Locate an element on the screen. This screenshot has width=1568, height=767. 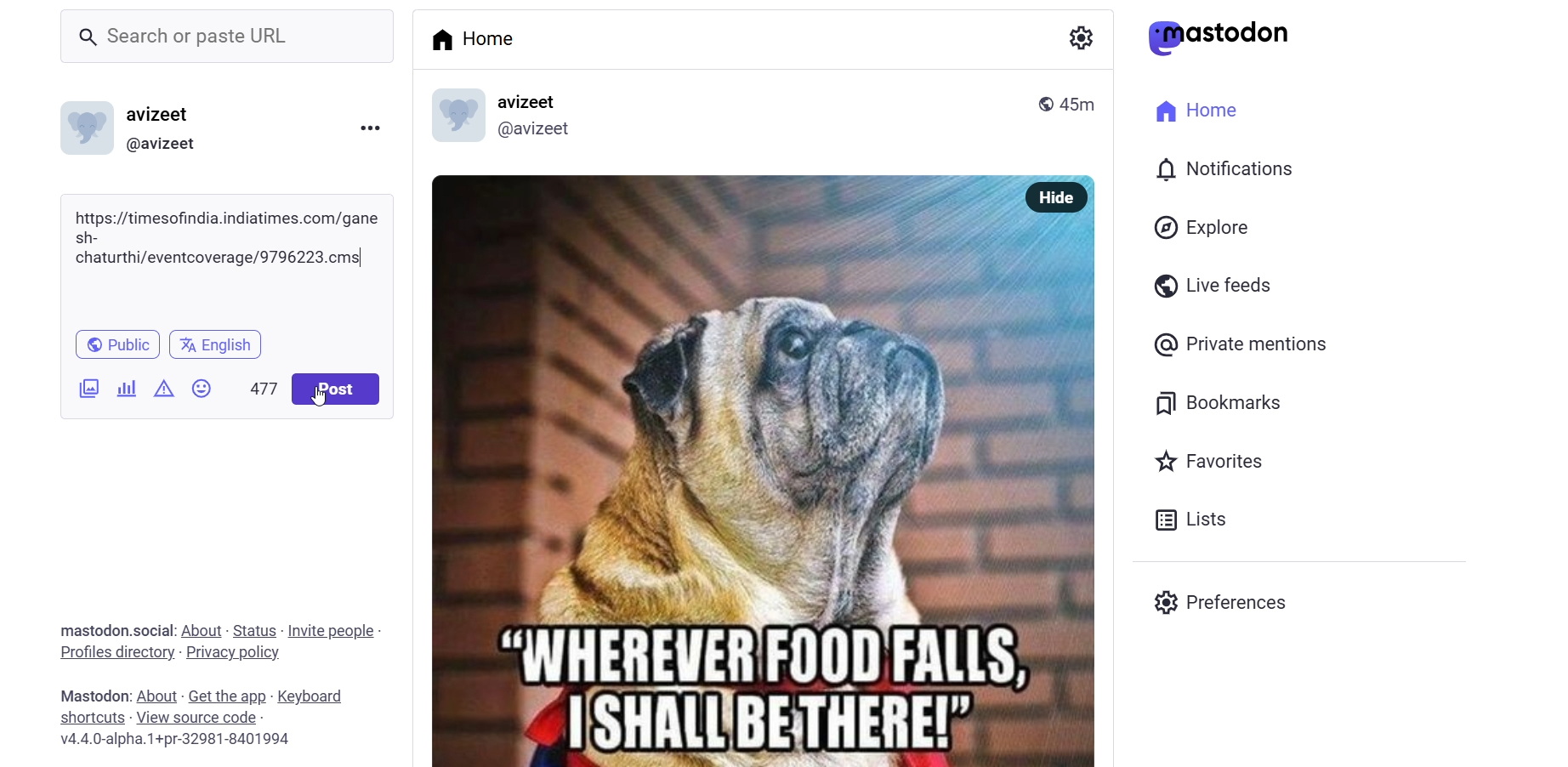
avizeet is located at coordinates (184, 116).